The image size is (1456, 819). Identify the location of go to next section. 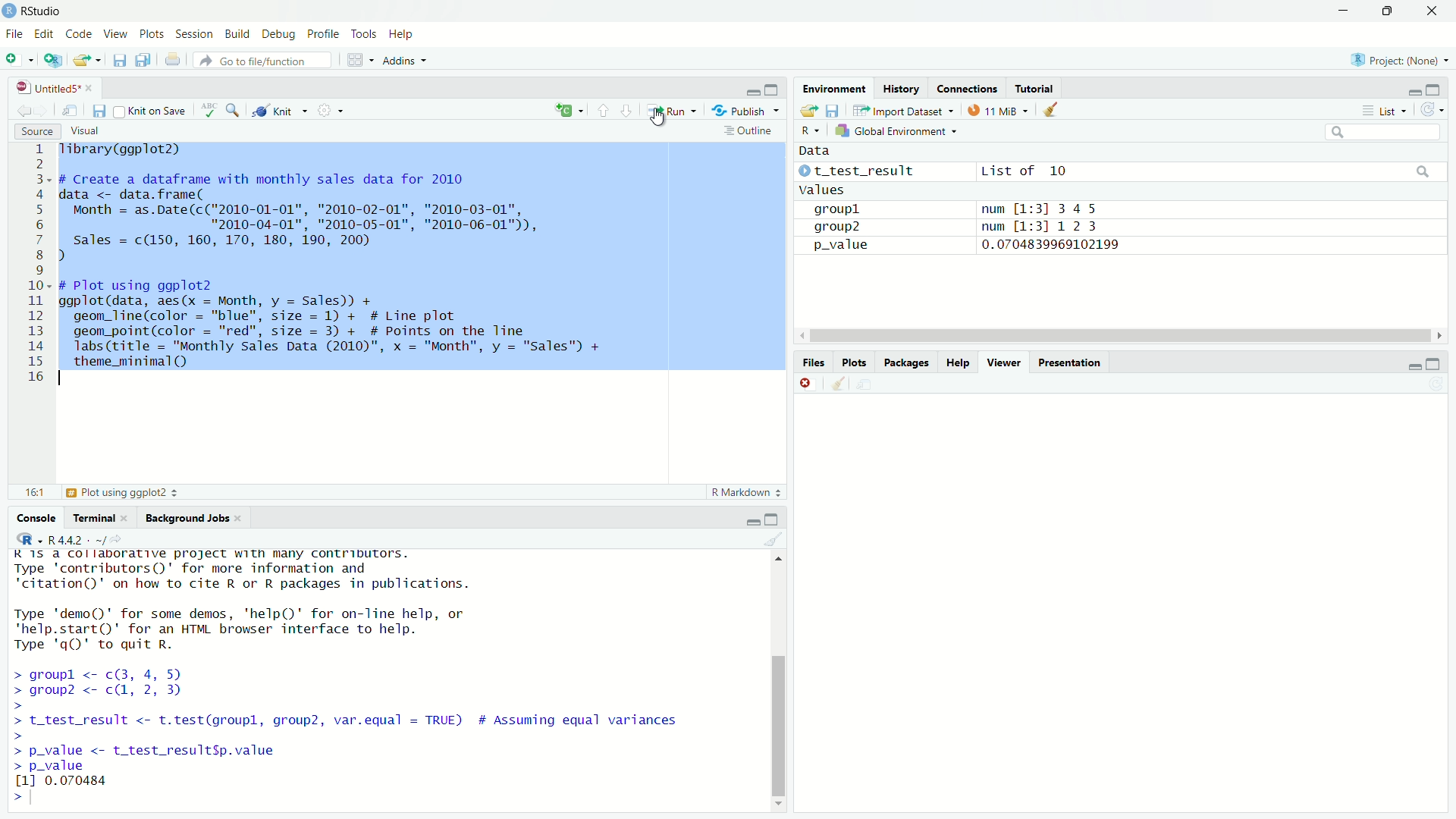
(627, 111).